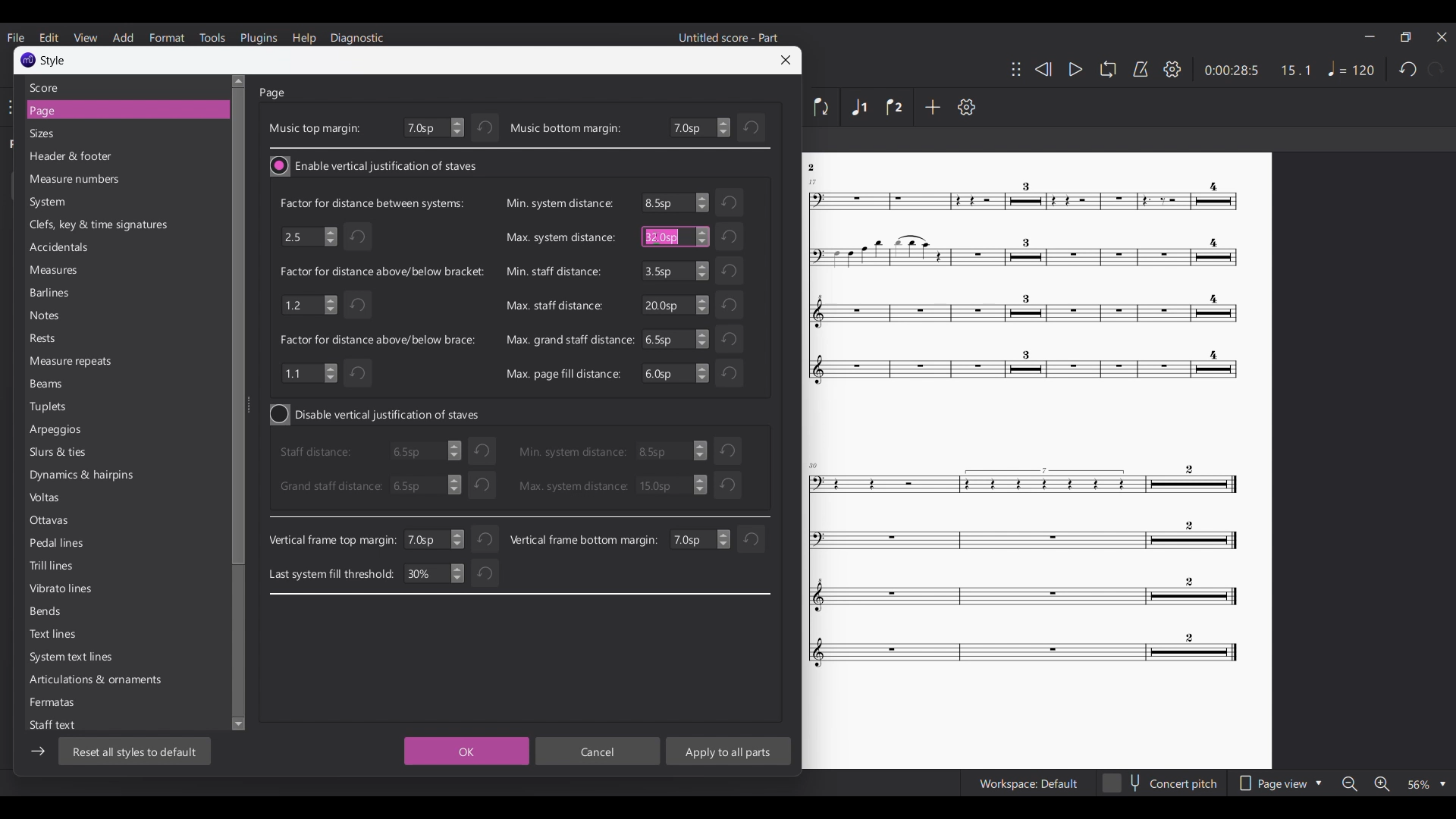  I want to click on Max. system distance, so click(560, 237).